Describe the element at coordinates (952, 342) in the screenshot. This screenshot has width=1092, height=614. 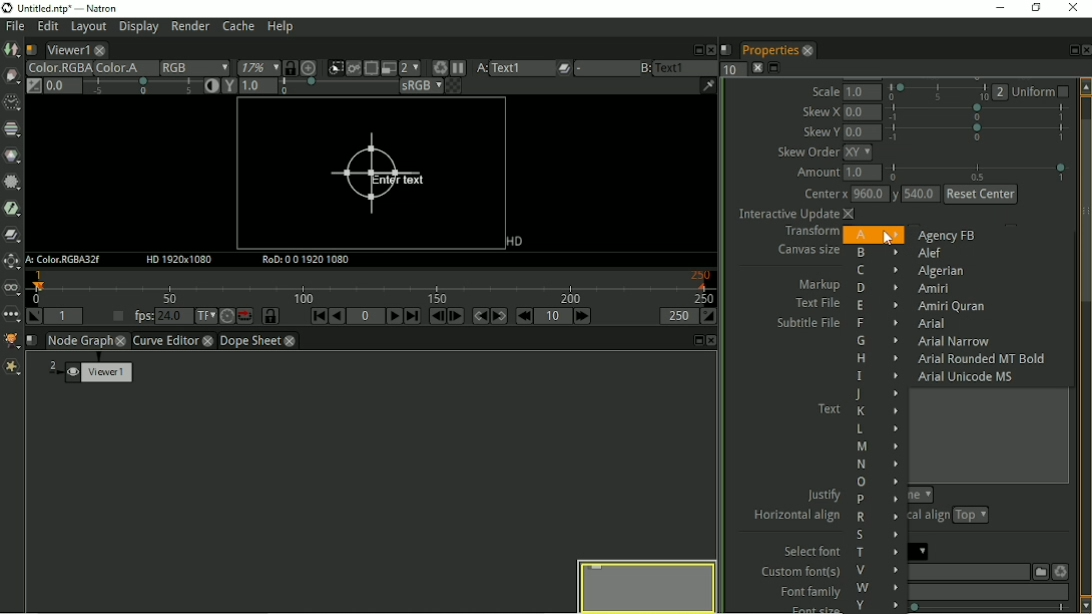
I see `Arial Narrow` at that location.